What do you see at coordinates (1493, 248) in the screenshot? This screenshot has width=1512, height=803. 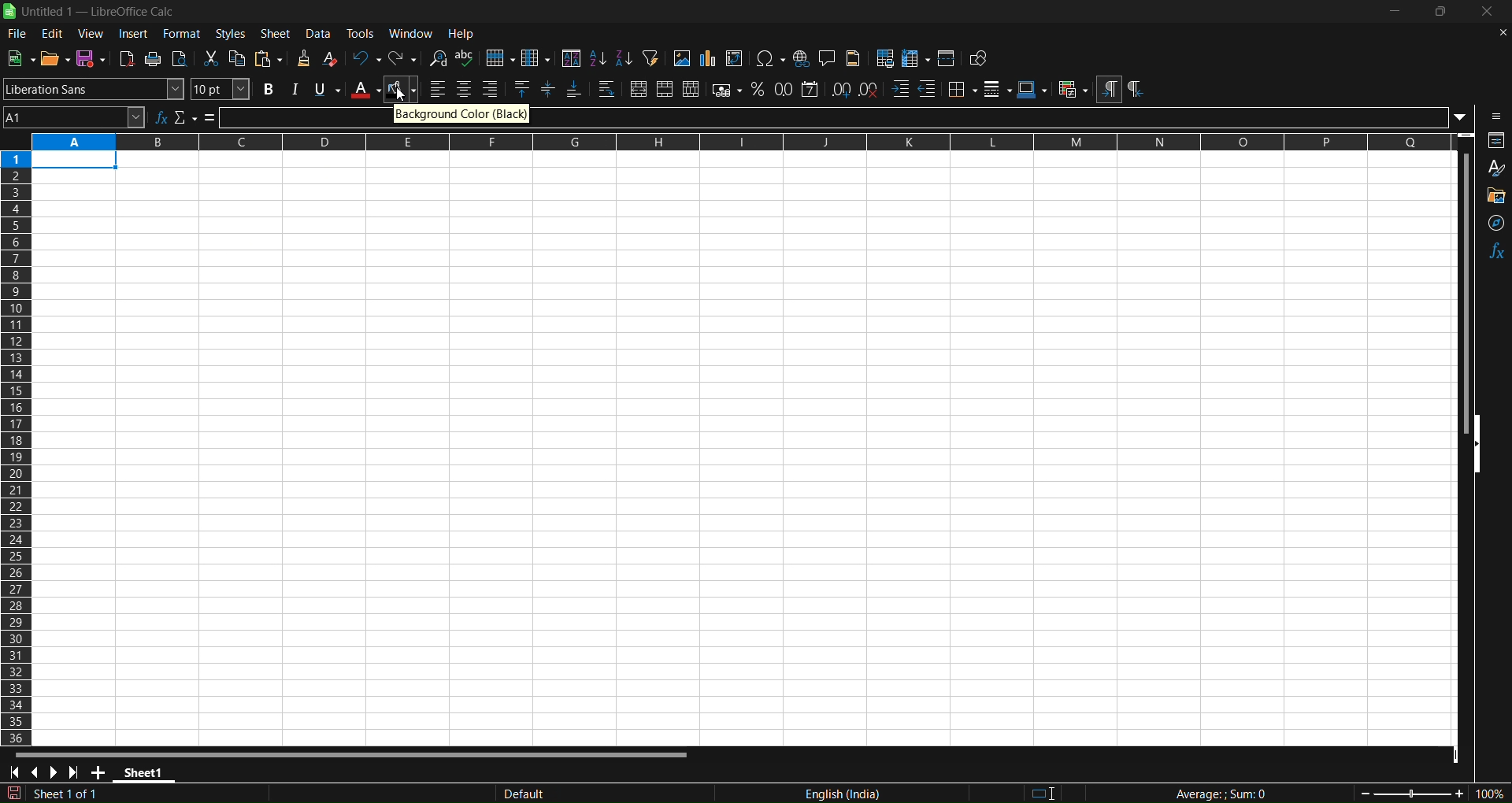 I see `functions` at bounding box center [1493, 248].